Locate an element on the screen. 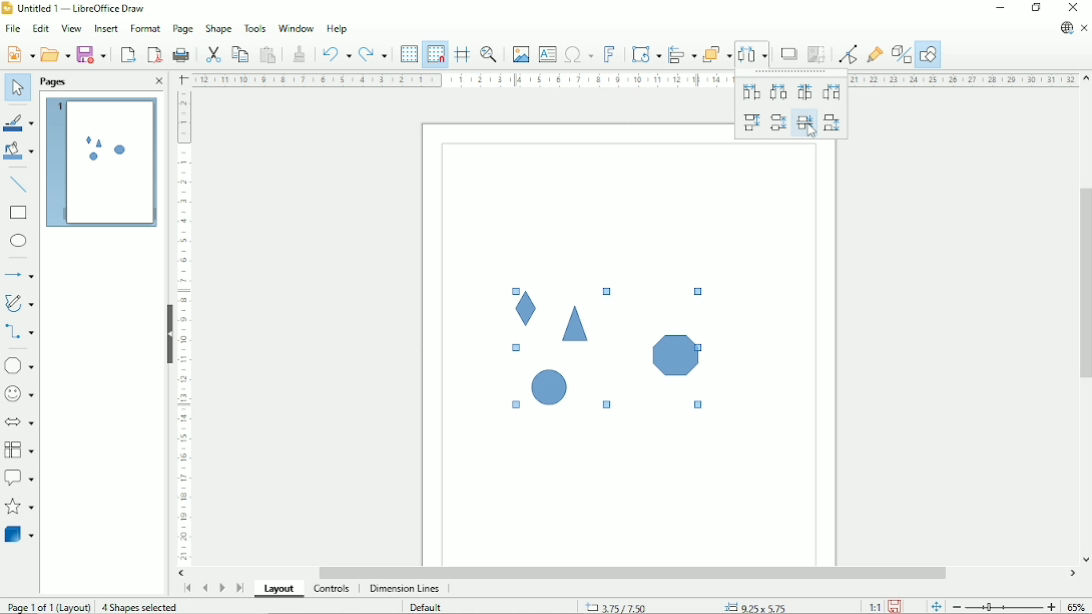  Scroll to last page is located at coordinates (240, 587).